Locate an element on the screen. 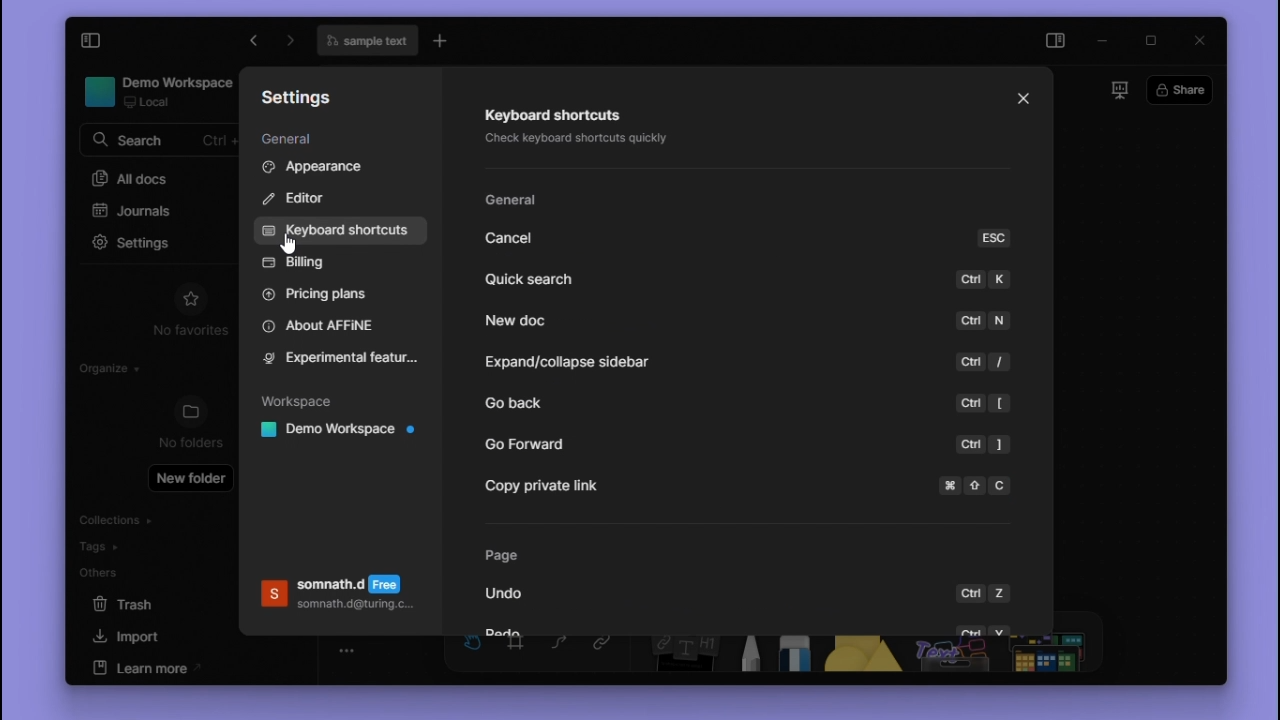  folder icon is located at coordinates (189, 411).